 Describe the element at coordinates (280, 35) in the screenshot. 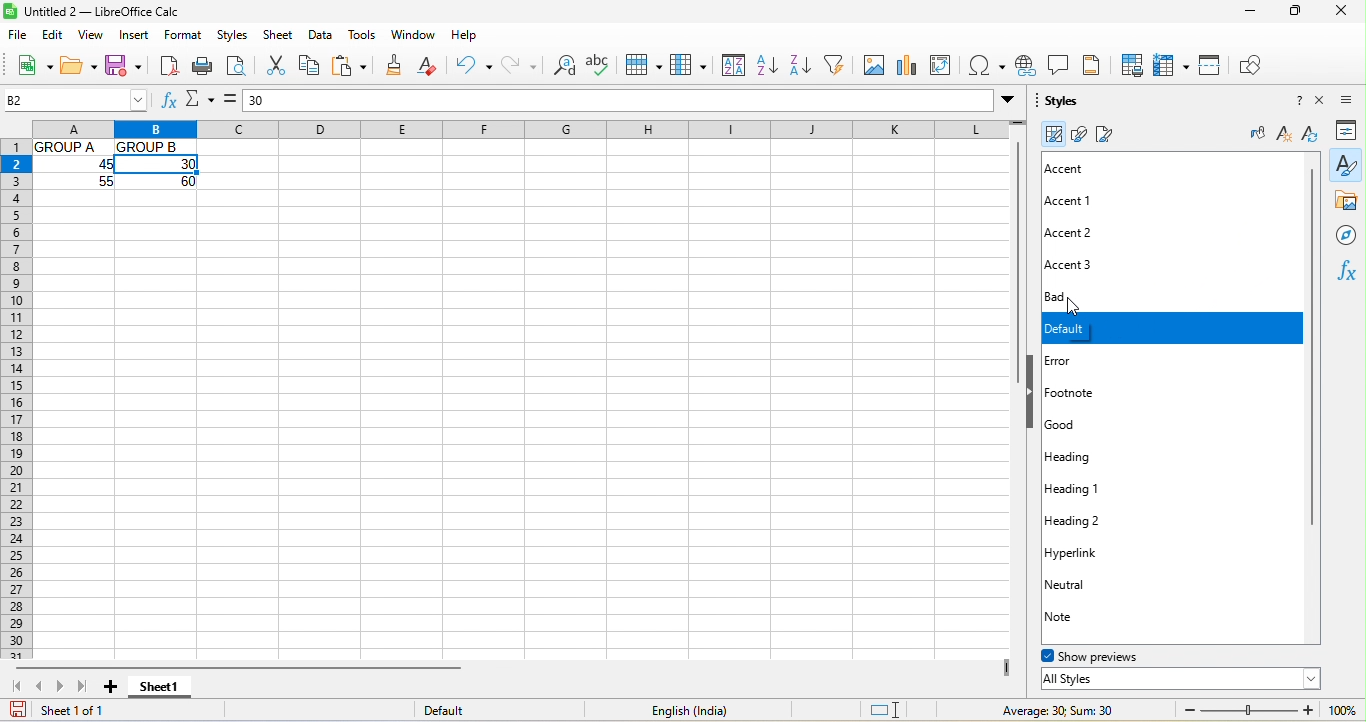

I see `sheet` at that location.